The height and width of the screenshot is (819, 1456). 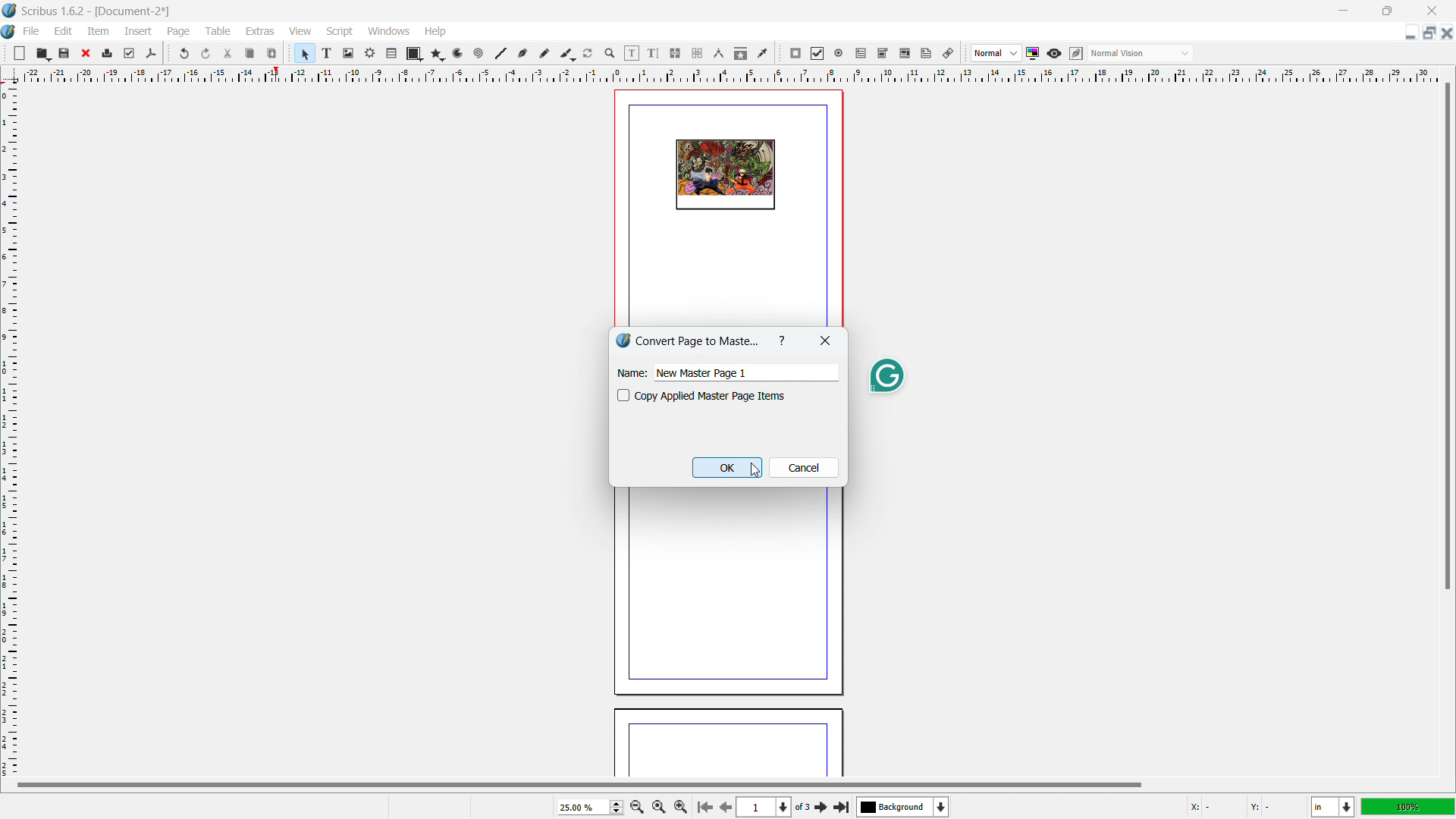 I want to click on edit in preview mode, so click(x=1075, y=54).